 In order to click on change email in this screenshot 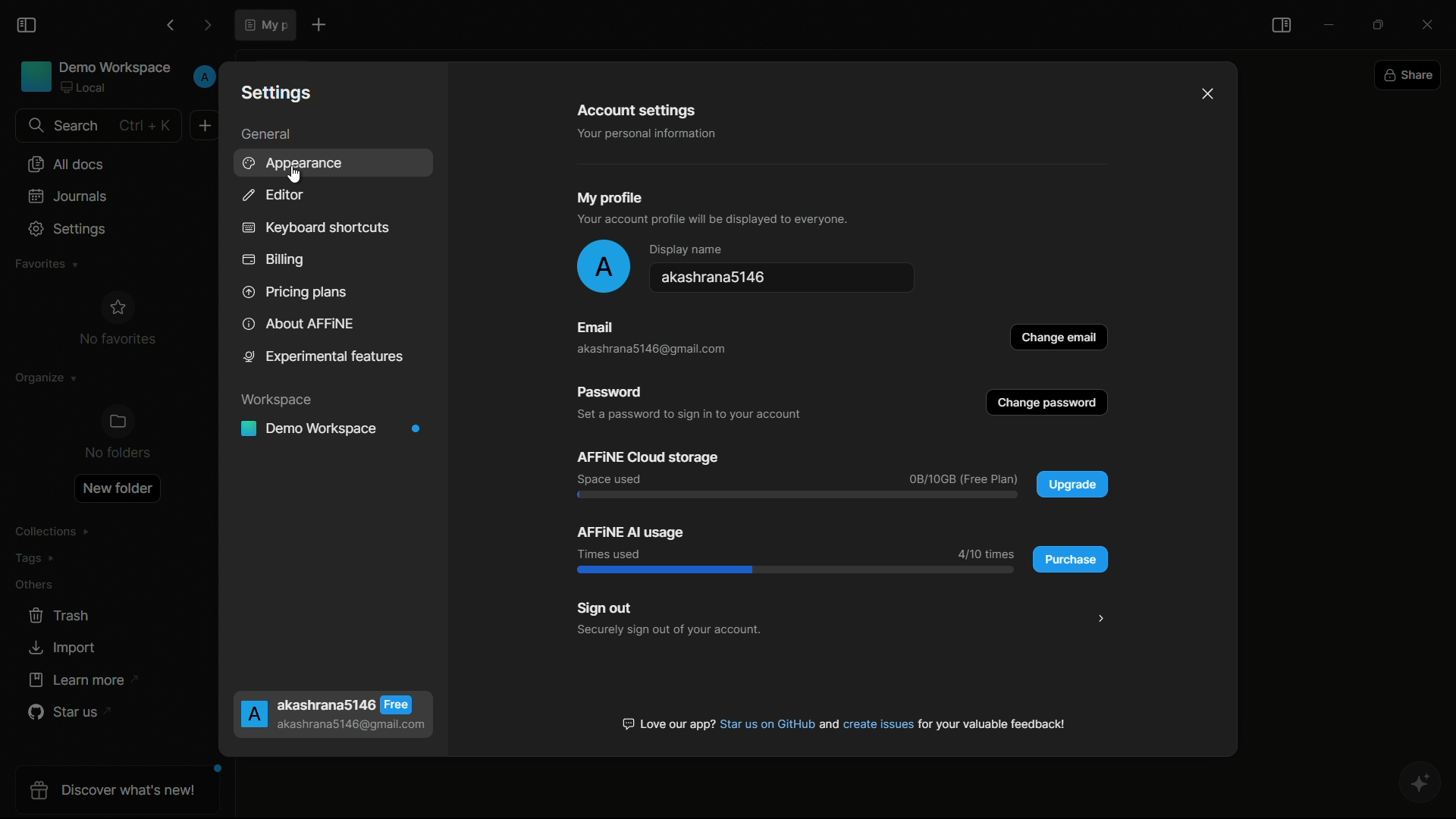, I will do `click(1062, 336)`.